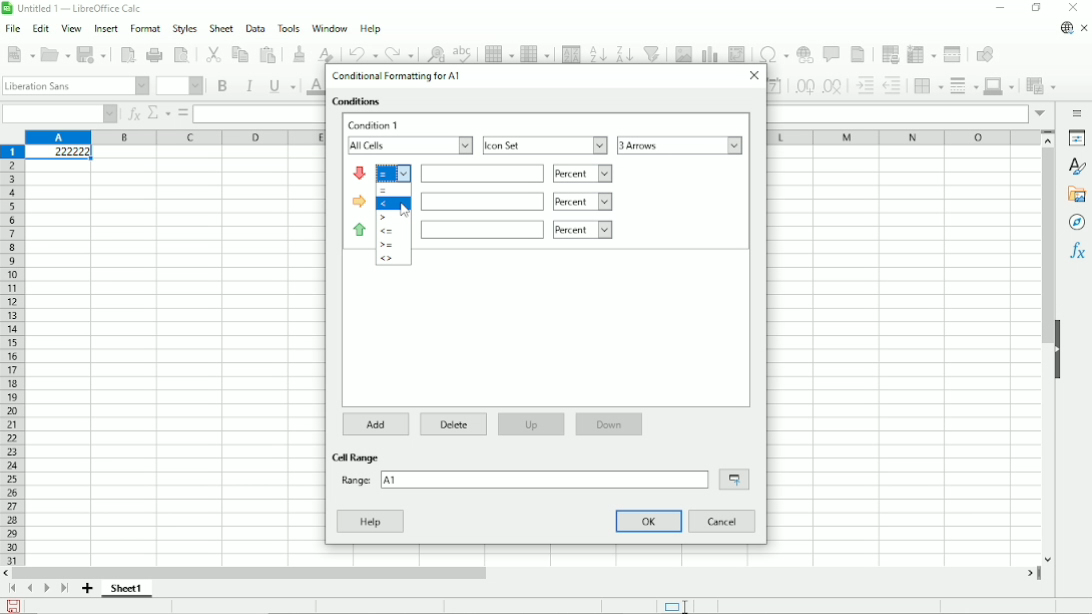 The image size is (1092, 614). What do you see at coordinates (156, 55) in the screenshot?
I see `Print` at bounding box center [156, 55].